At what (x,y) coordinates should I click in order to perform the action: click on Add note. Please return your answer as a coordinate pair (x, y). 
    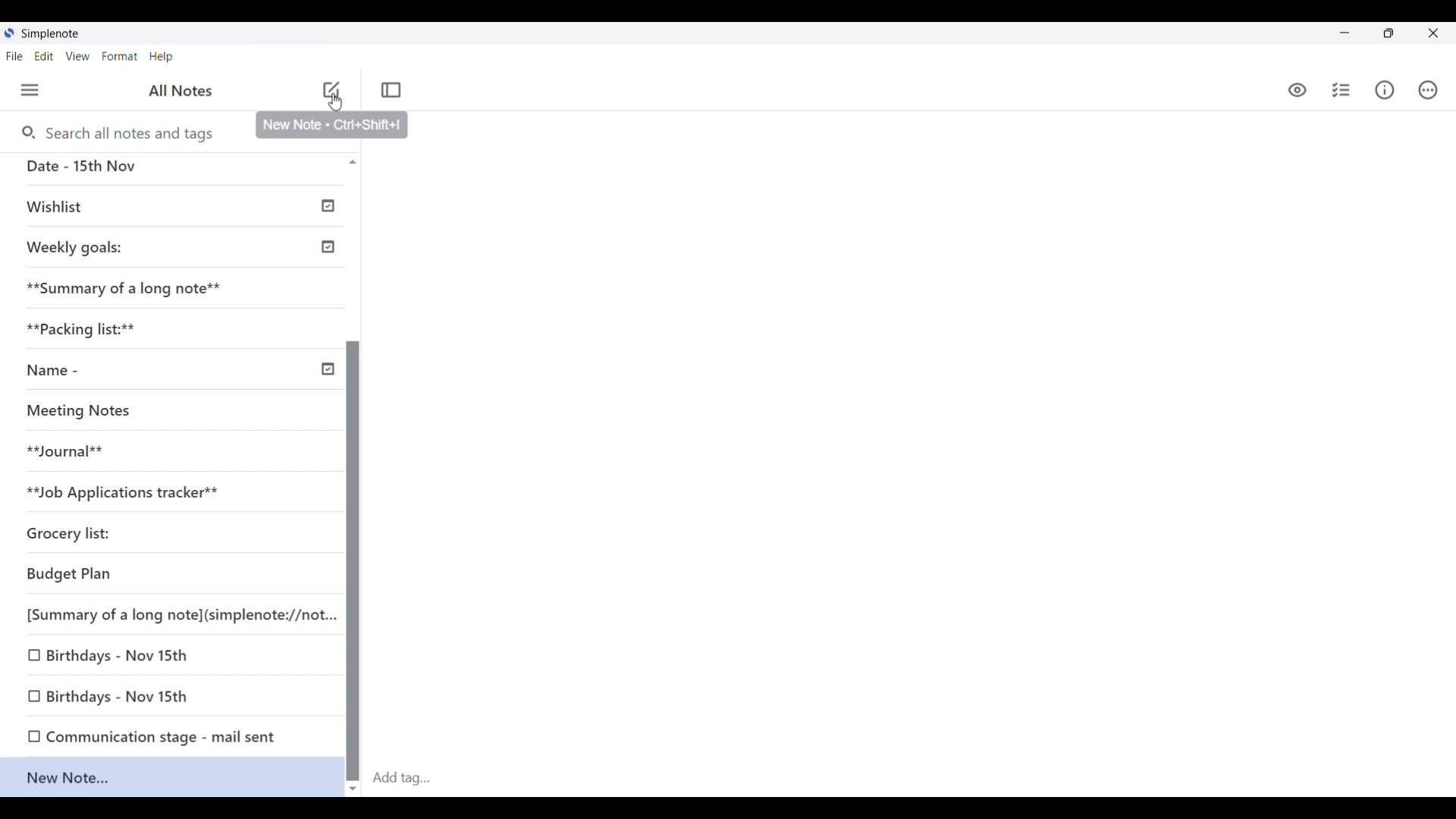
    Looking at the image, I should click on (331, 89).